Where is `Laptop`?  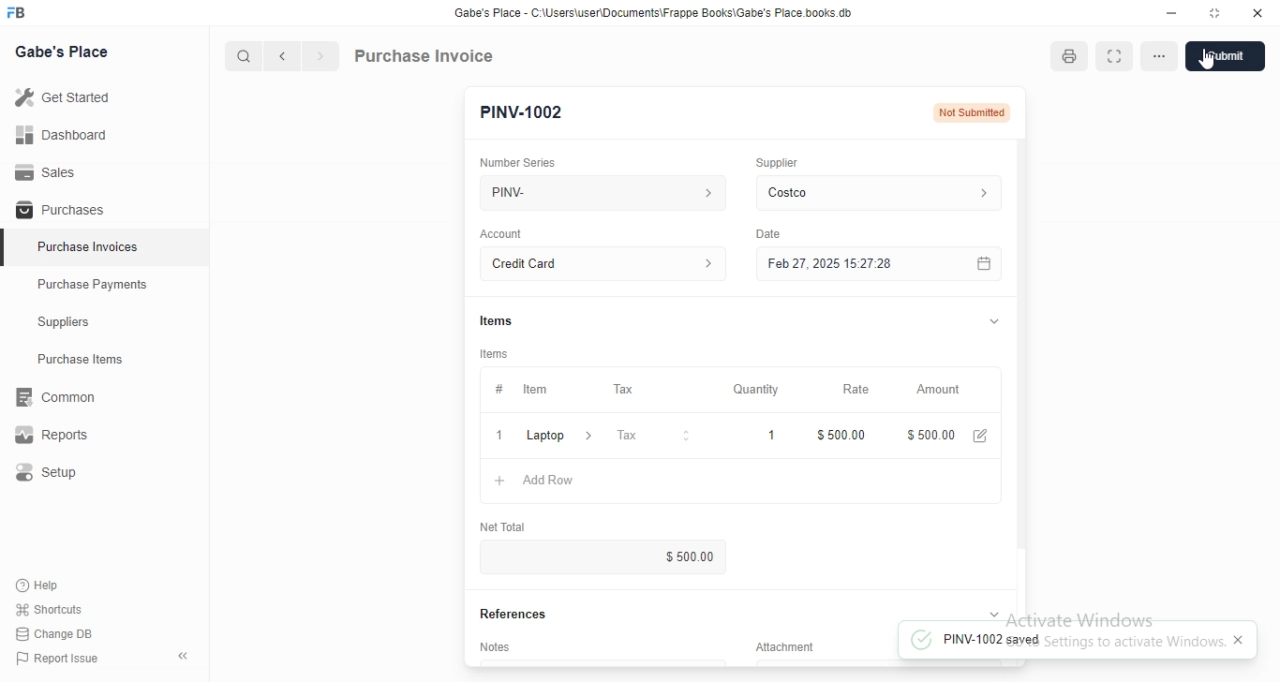 Laptop is located at coordinates (559, 435).